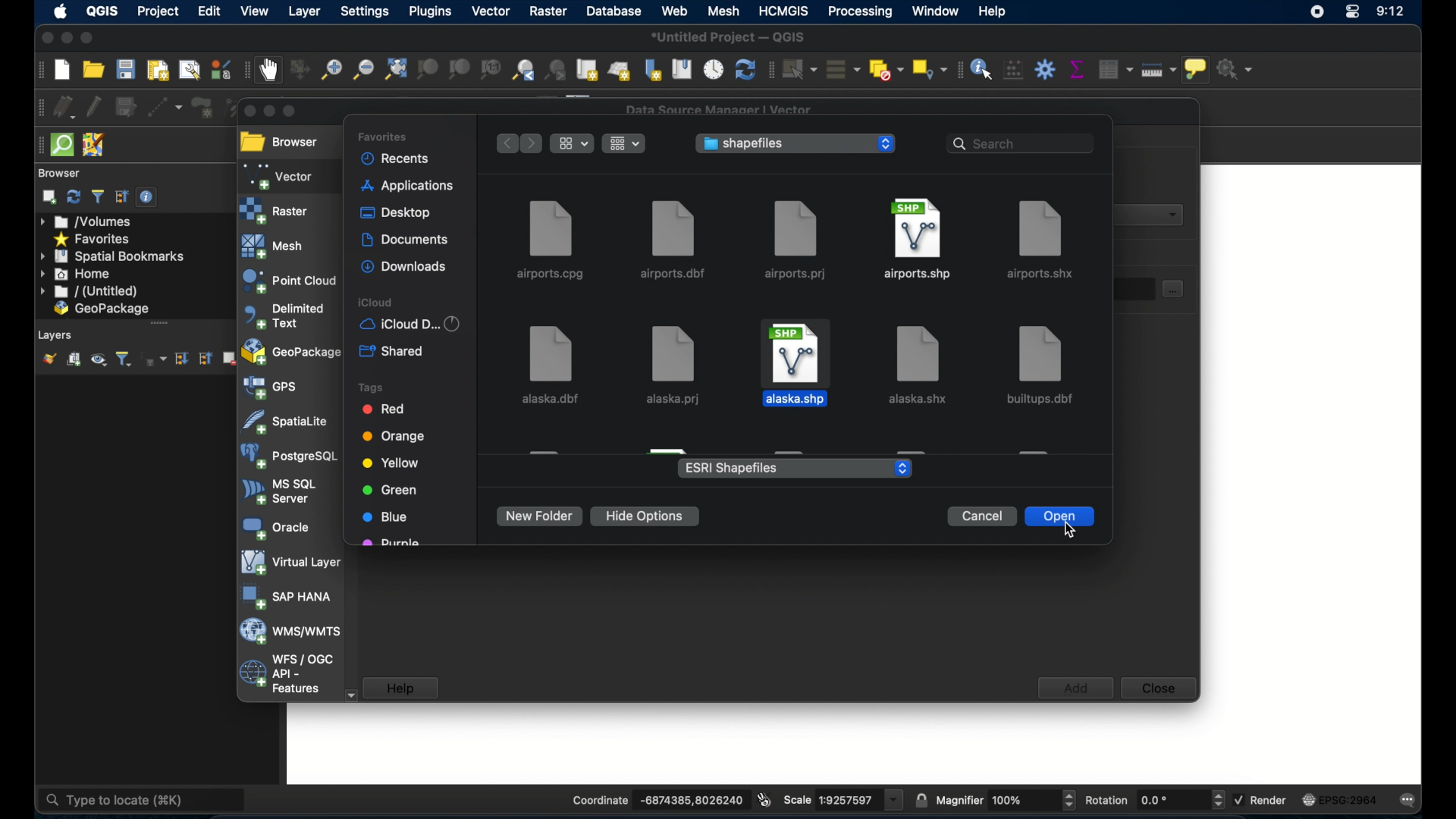 The height and width of the screenshot is (819, 1456). I want to click on file, so click(918, 364).